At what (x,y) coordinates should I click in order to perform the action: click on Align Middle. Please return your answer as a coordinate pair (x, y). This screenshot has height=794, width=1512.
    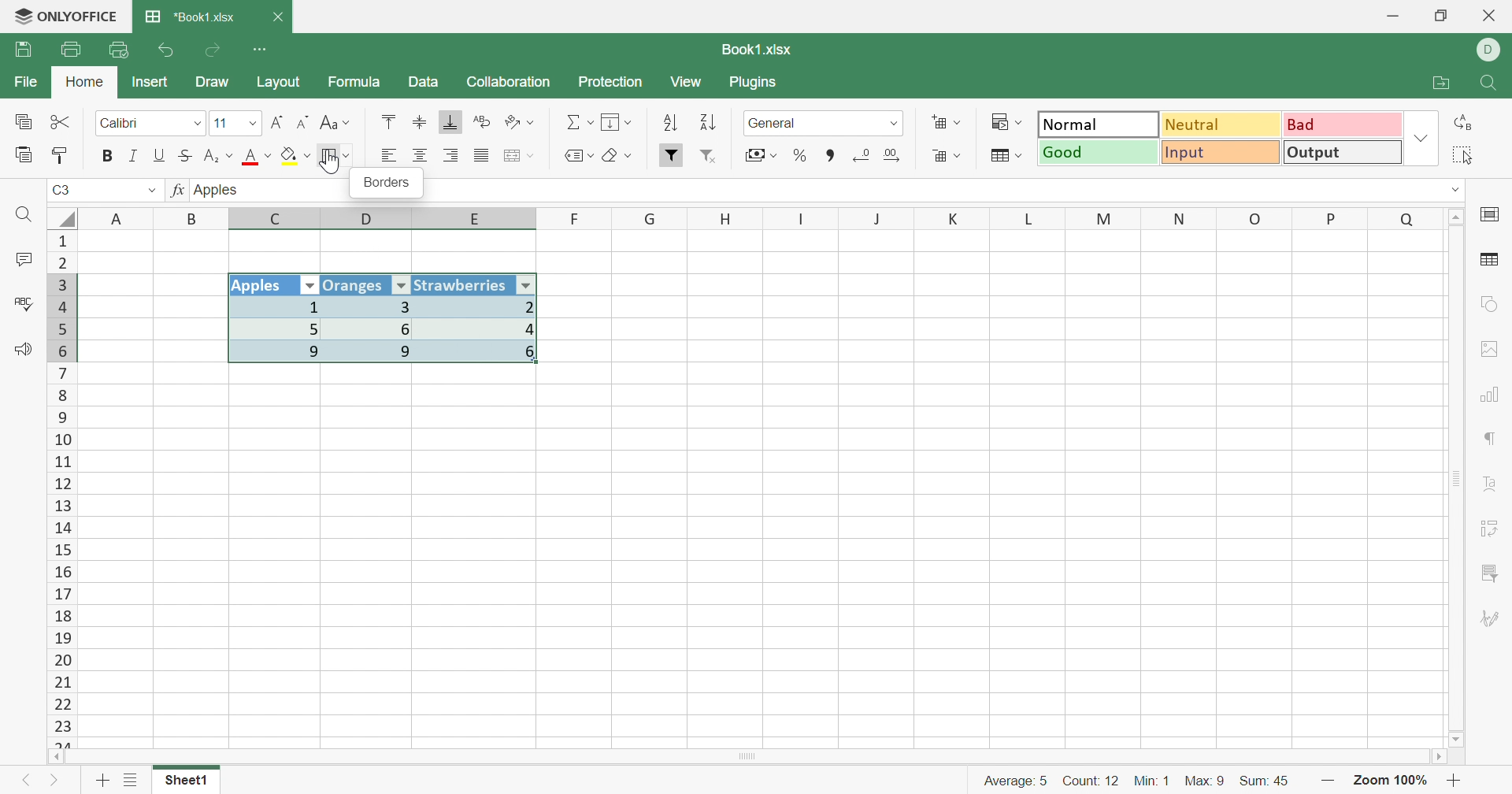
    Looking at the image, I should click on (420, 123).